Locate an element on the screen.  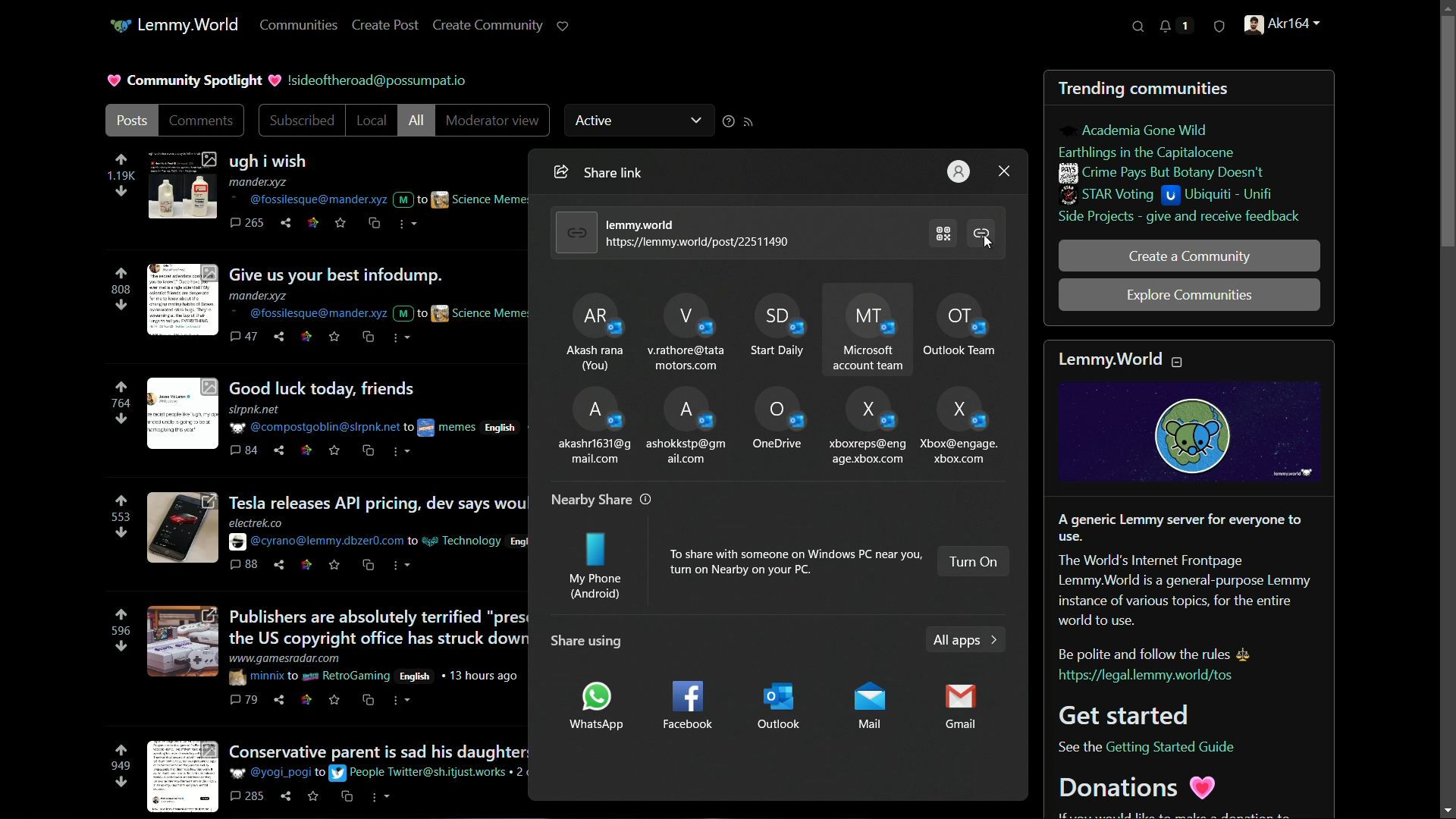
@yogi_pogi is located at coordinates (271, 773).